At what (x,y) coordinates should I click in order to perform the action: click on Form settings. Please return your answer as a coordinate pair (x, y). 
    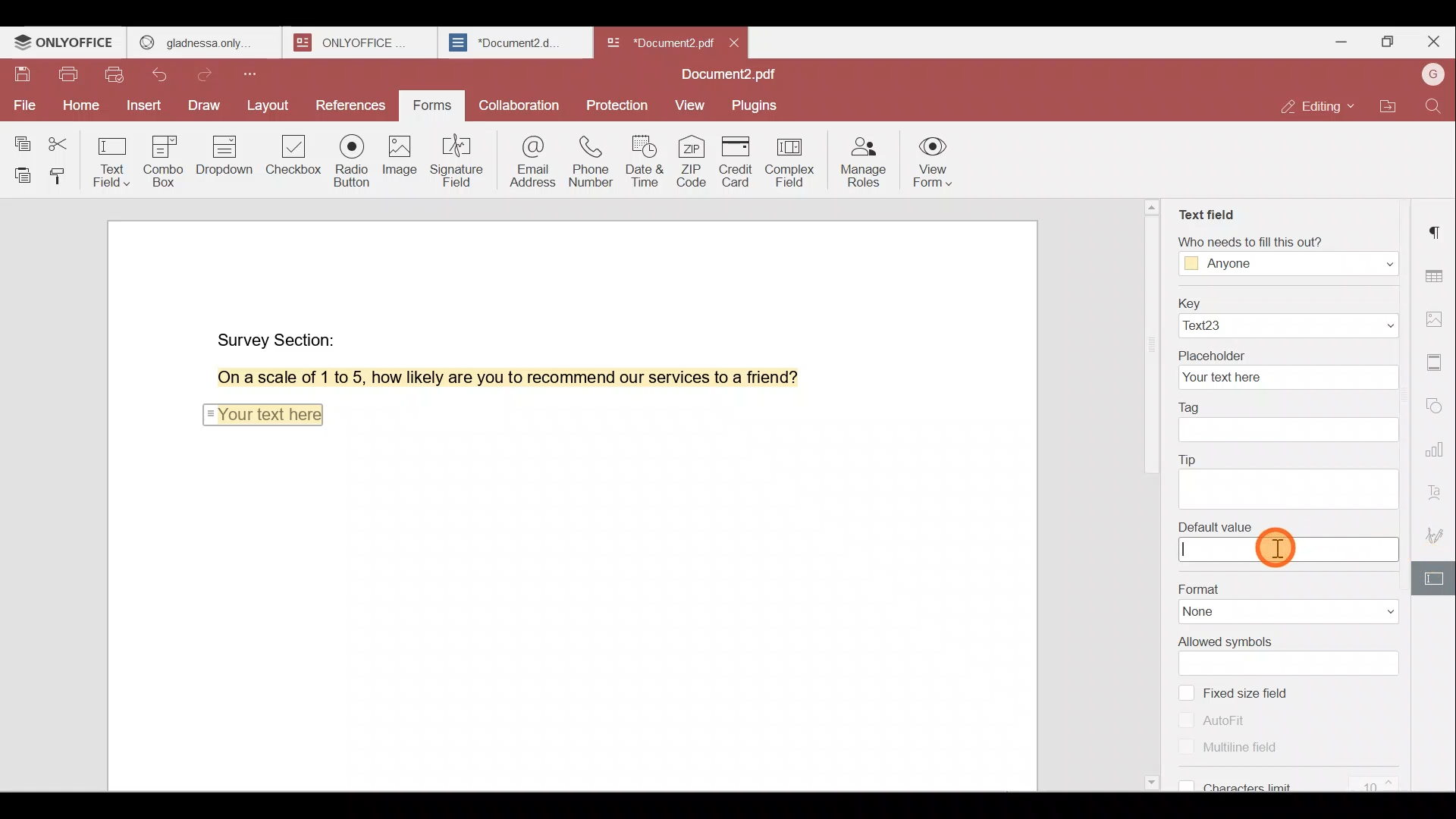
    Looking at the image, I should click on (1429, 579).